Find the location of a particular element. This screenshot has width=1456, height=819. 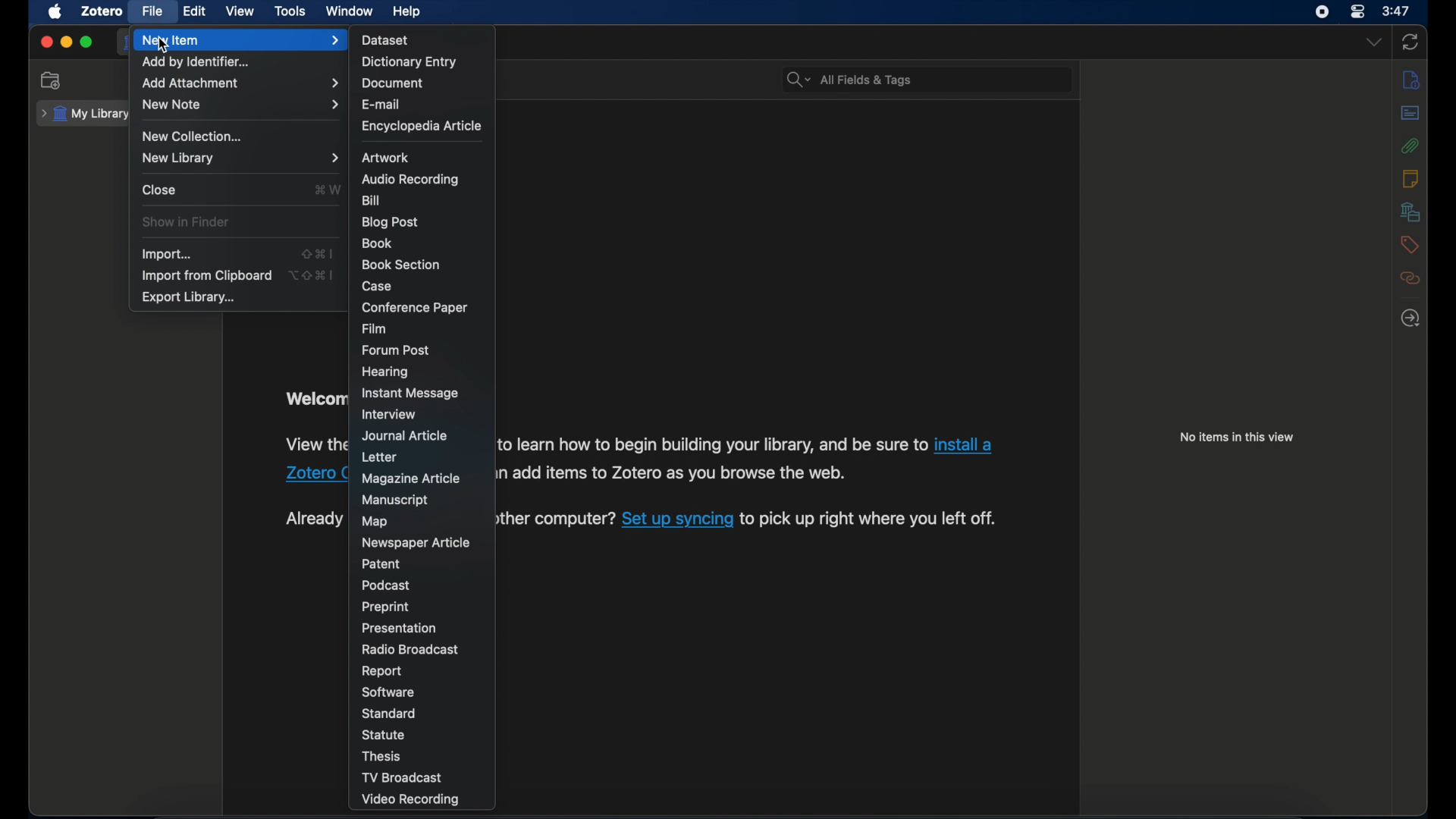

text is located at coordinates (676, 472).